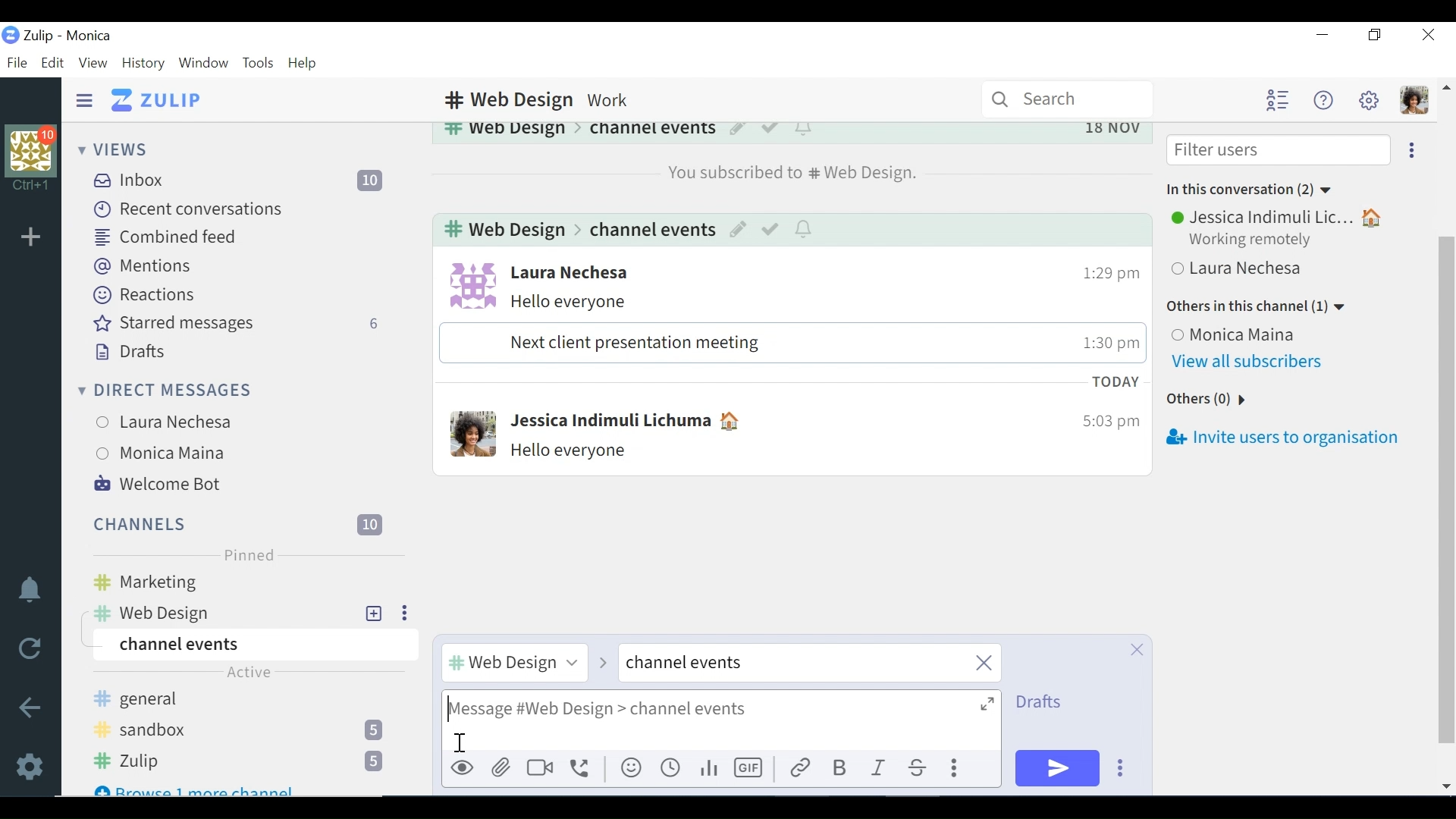  Describe the element at coordinates (172, 454) in the screenshot. I see `User` at that location.